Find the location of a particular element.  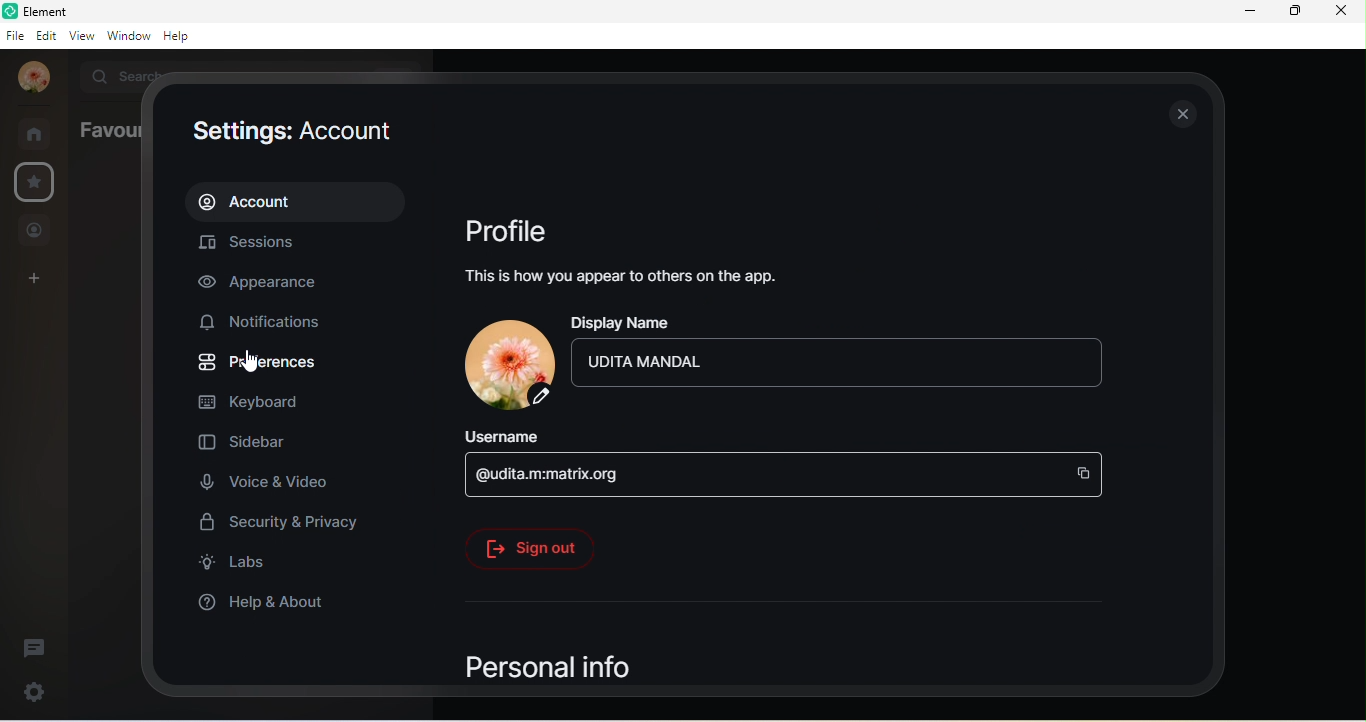

create a space is located at coordinates (31, 280).